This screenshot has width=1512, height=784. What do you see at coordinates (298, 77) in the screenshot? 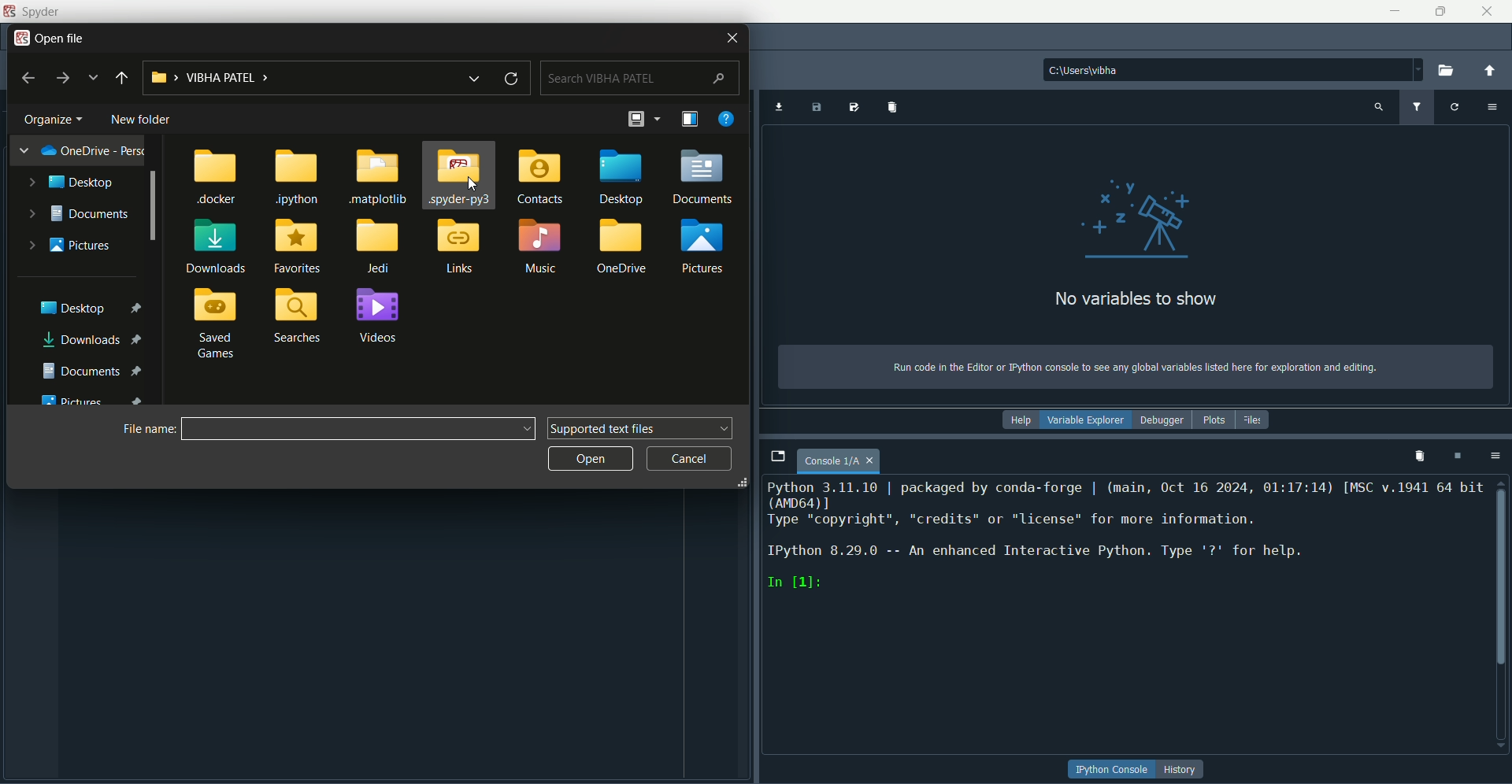
I see `folder path` at bounding box center [298, 77].